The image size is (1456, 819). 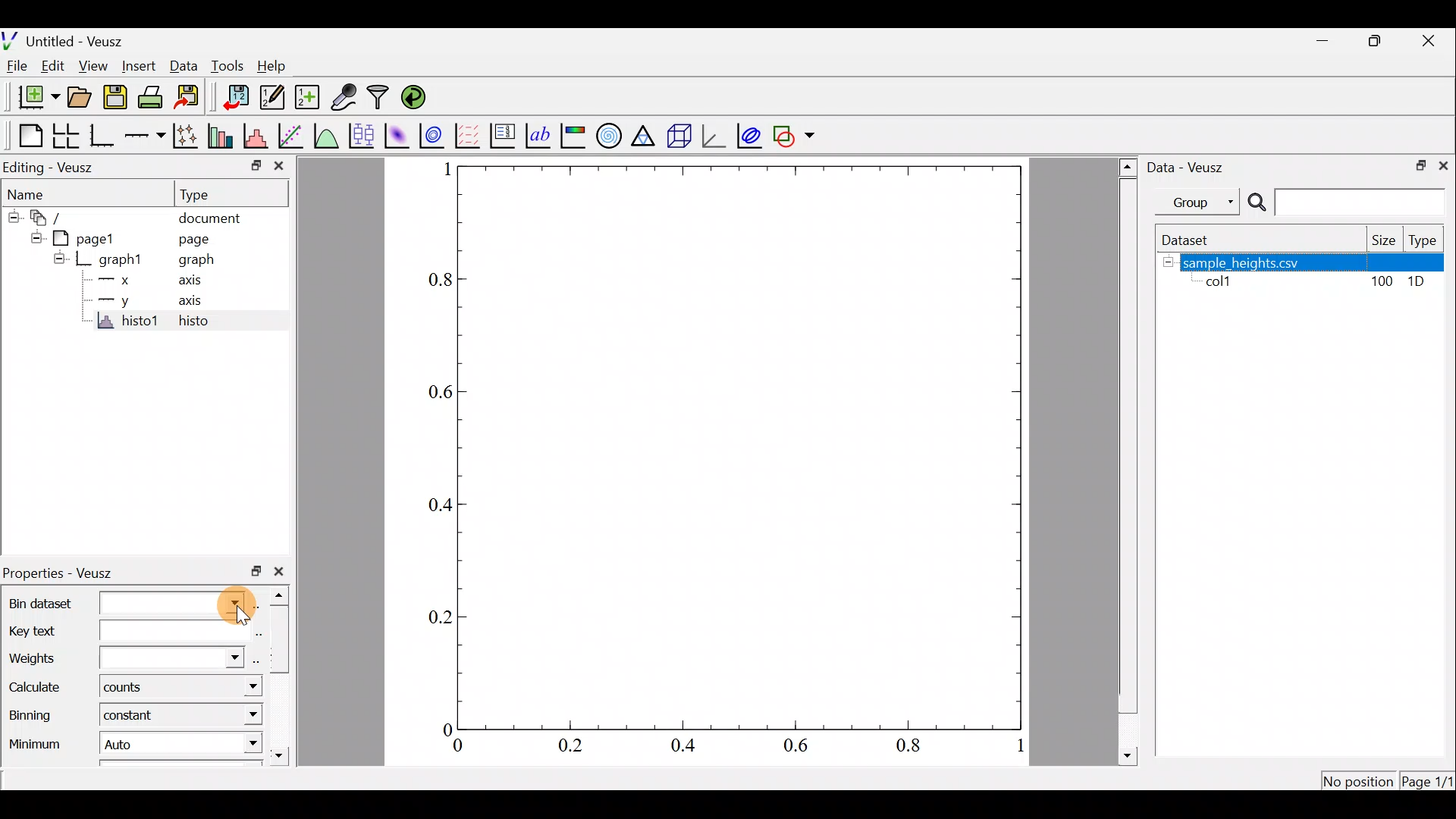 I want to click on restore down, so click(x=1419, y=166).